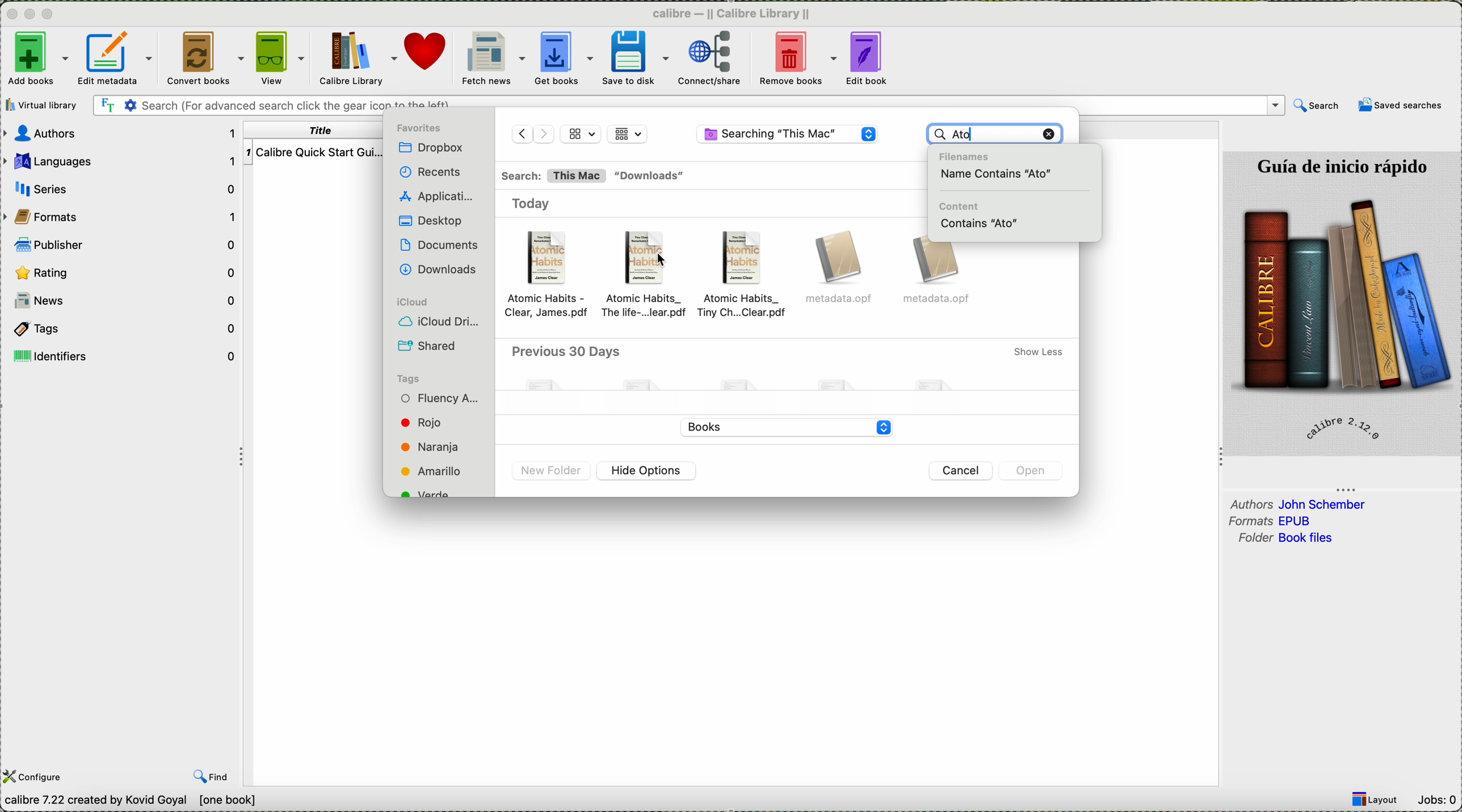 The height and width of the screenshot is (812, 1462). What do you see at coordinates (941, 275) in the screenshot?
I see `file` at bounding box center [941, 275].